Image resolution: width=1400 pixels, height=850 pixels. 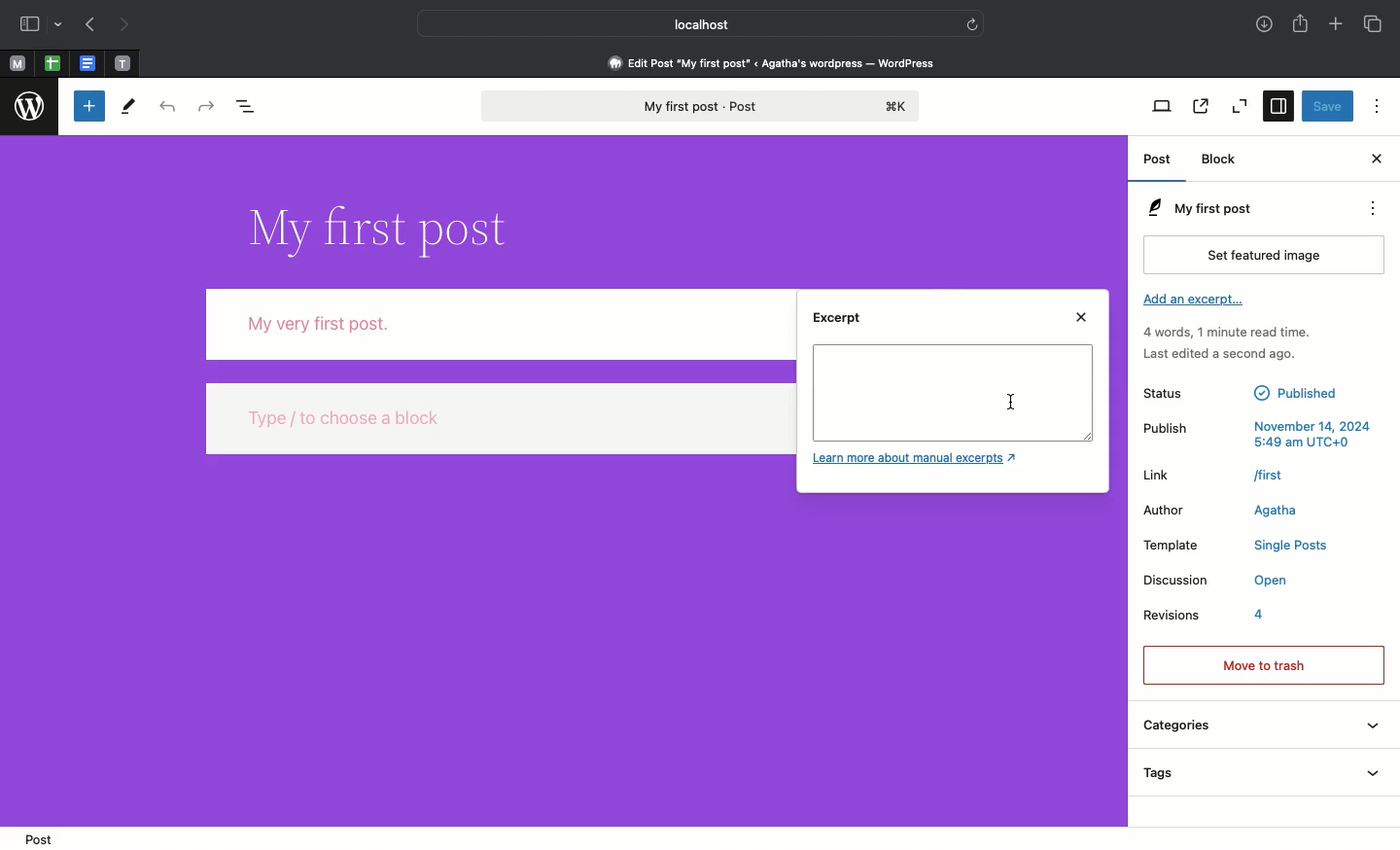 What do you see at coordinates (37, 837) in the screenshot?
I see `Post` at bounding box center [37, 837].